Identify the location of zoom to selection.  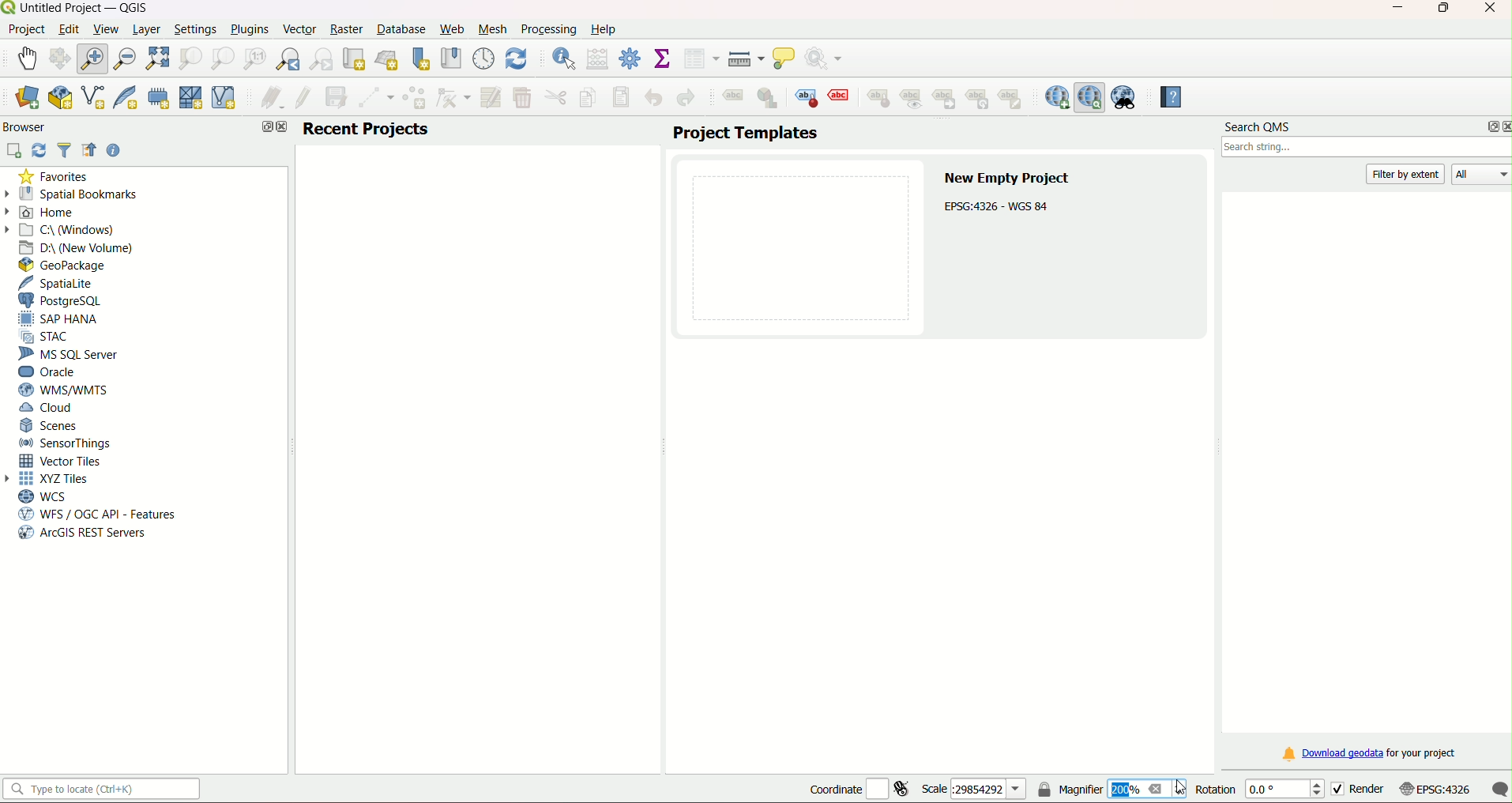
(191, 58).